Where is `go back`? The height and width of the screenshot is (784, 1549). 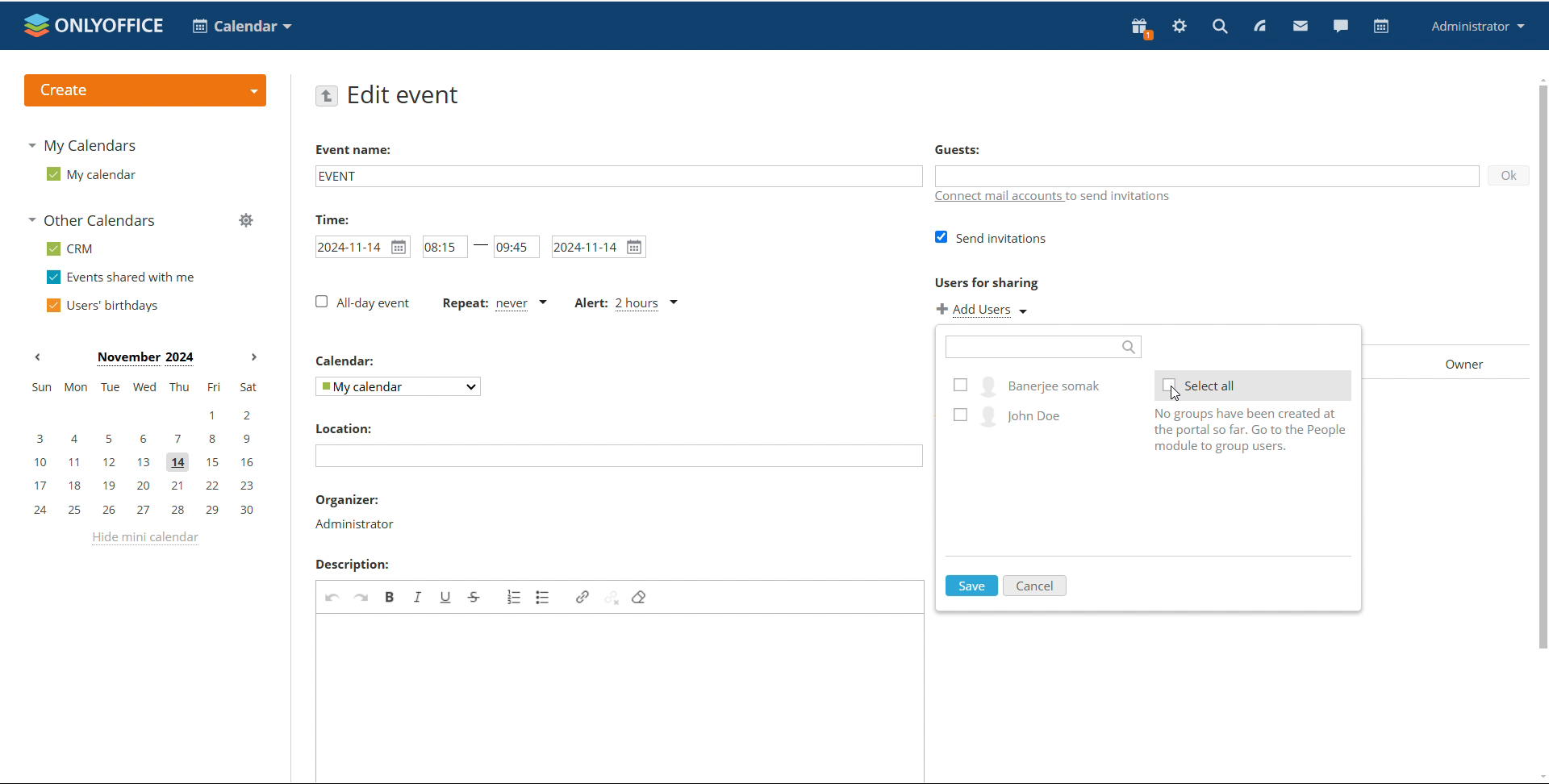
go back is located at coordinates (326, 96).